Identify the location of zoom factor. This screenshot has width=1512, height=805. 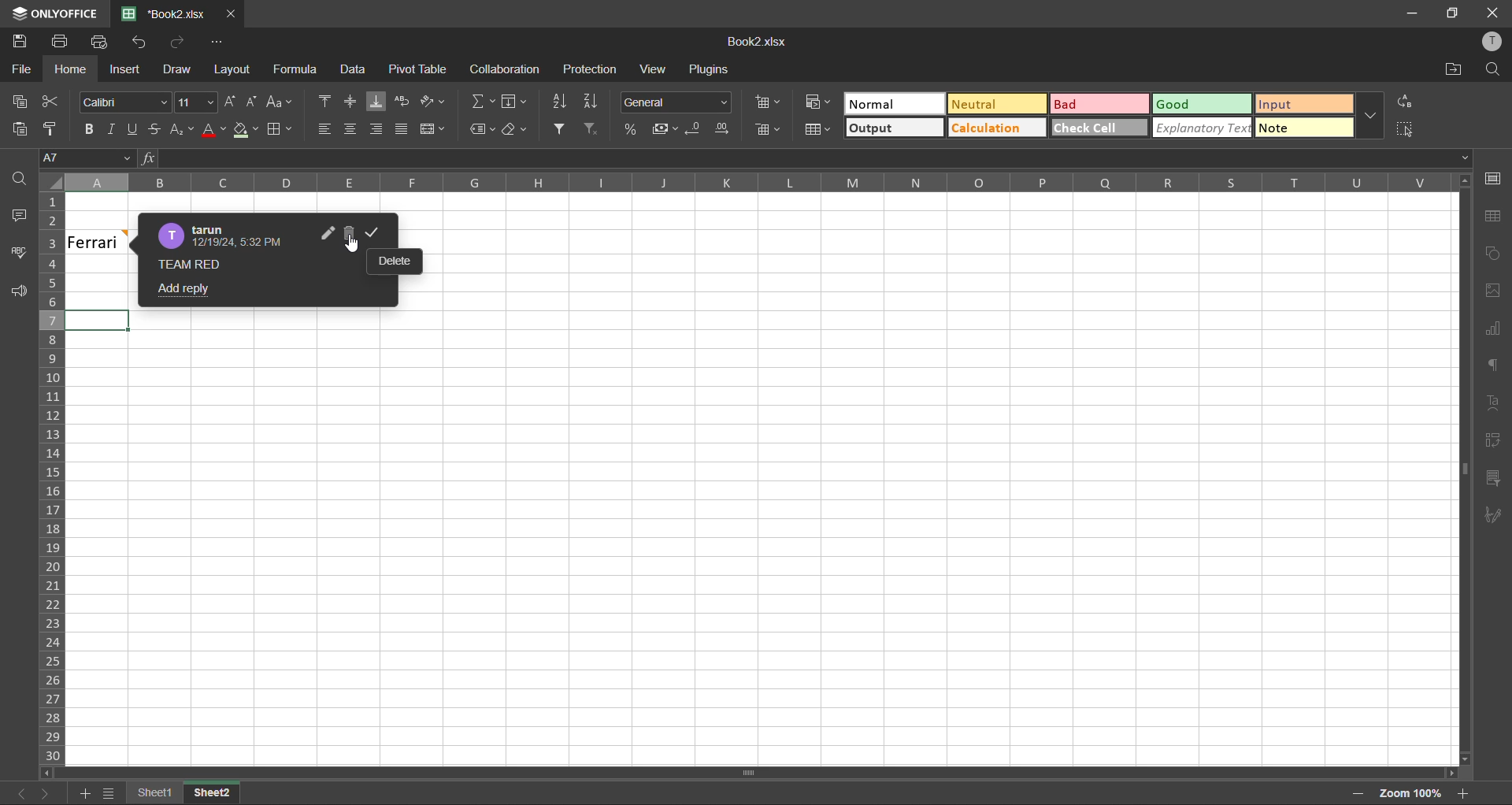
(1413, 792).